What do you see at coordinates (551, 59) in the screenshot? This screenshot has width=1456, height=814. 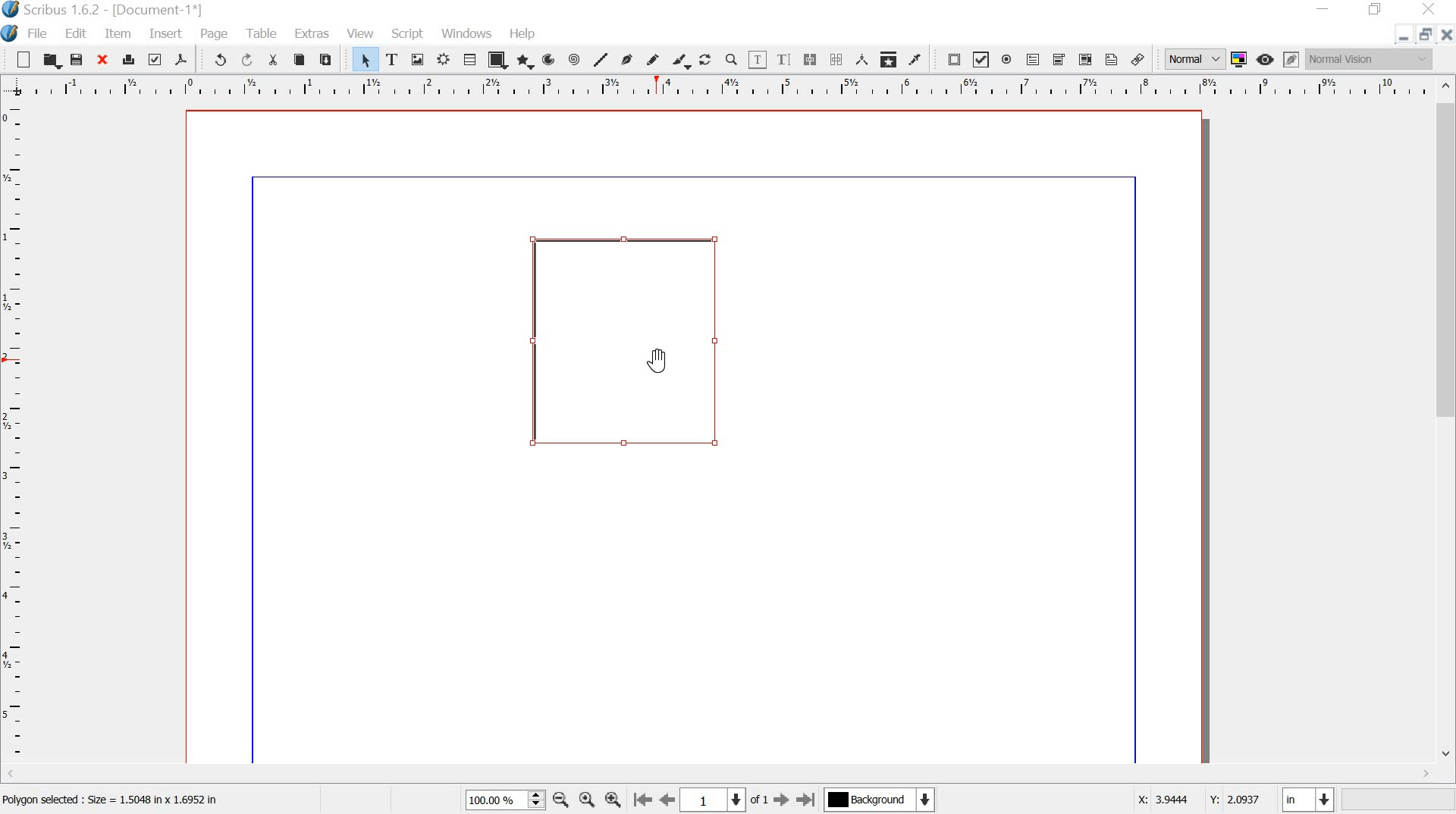 I see `arc` at bounding box center [551, 59].